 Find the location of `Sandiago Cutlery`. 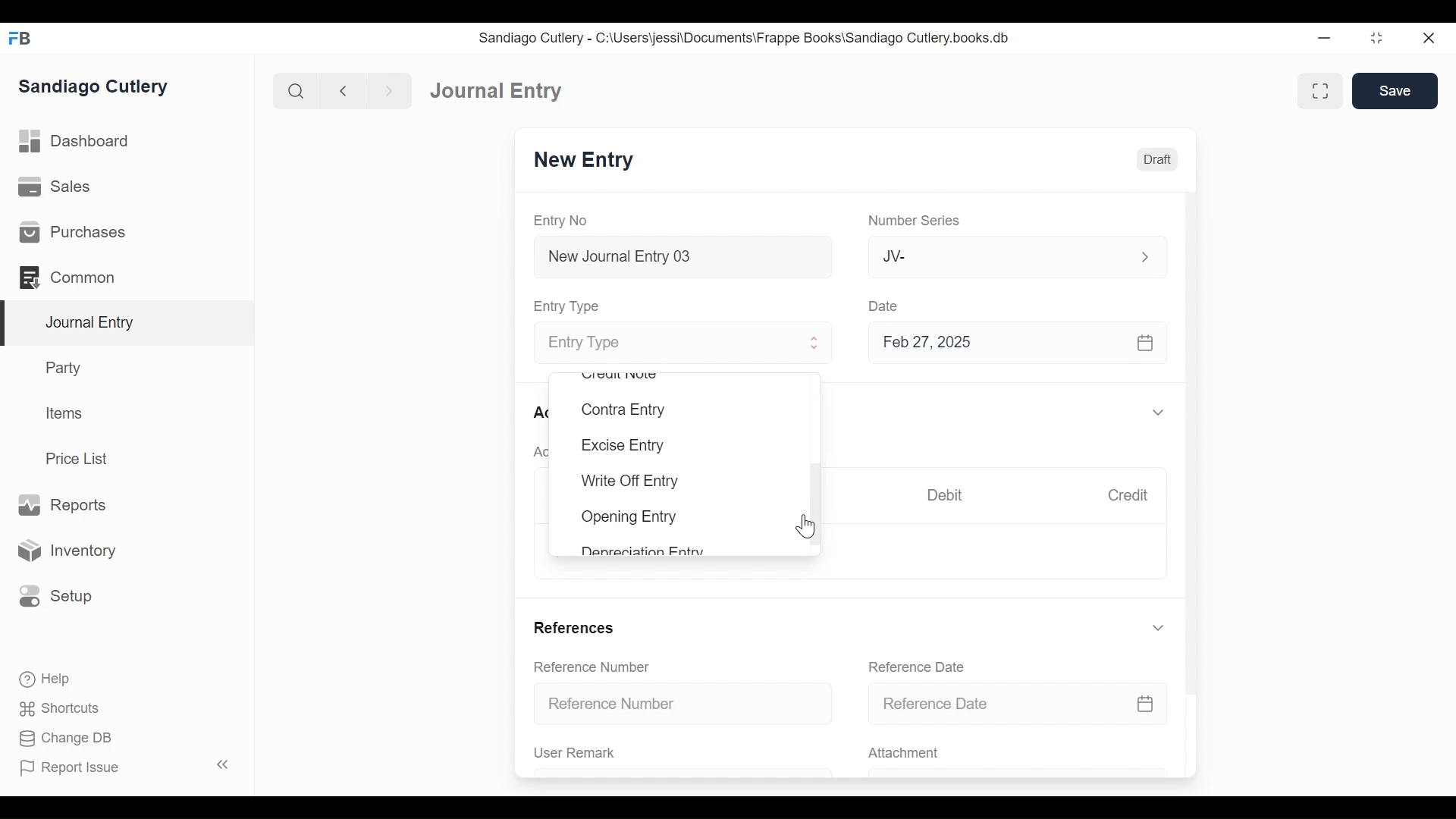

Sandiago Cutlery is located at coordinates (96, 88).